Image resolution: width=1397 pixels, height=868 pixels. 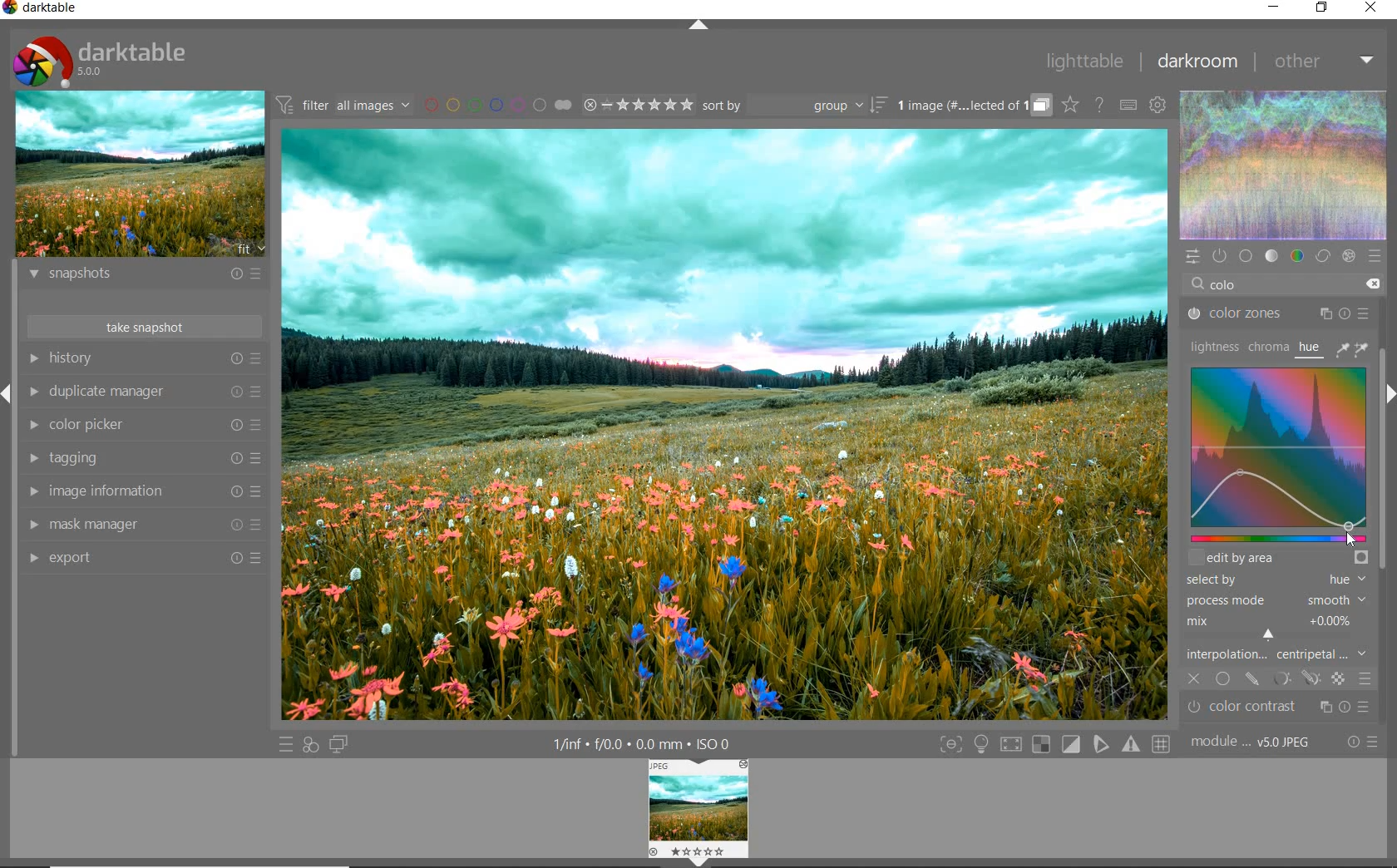 What do you see at coordinates (1276, 8) in the screenshot?
I see `minimize` at bounding box center [1276, 8].